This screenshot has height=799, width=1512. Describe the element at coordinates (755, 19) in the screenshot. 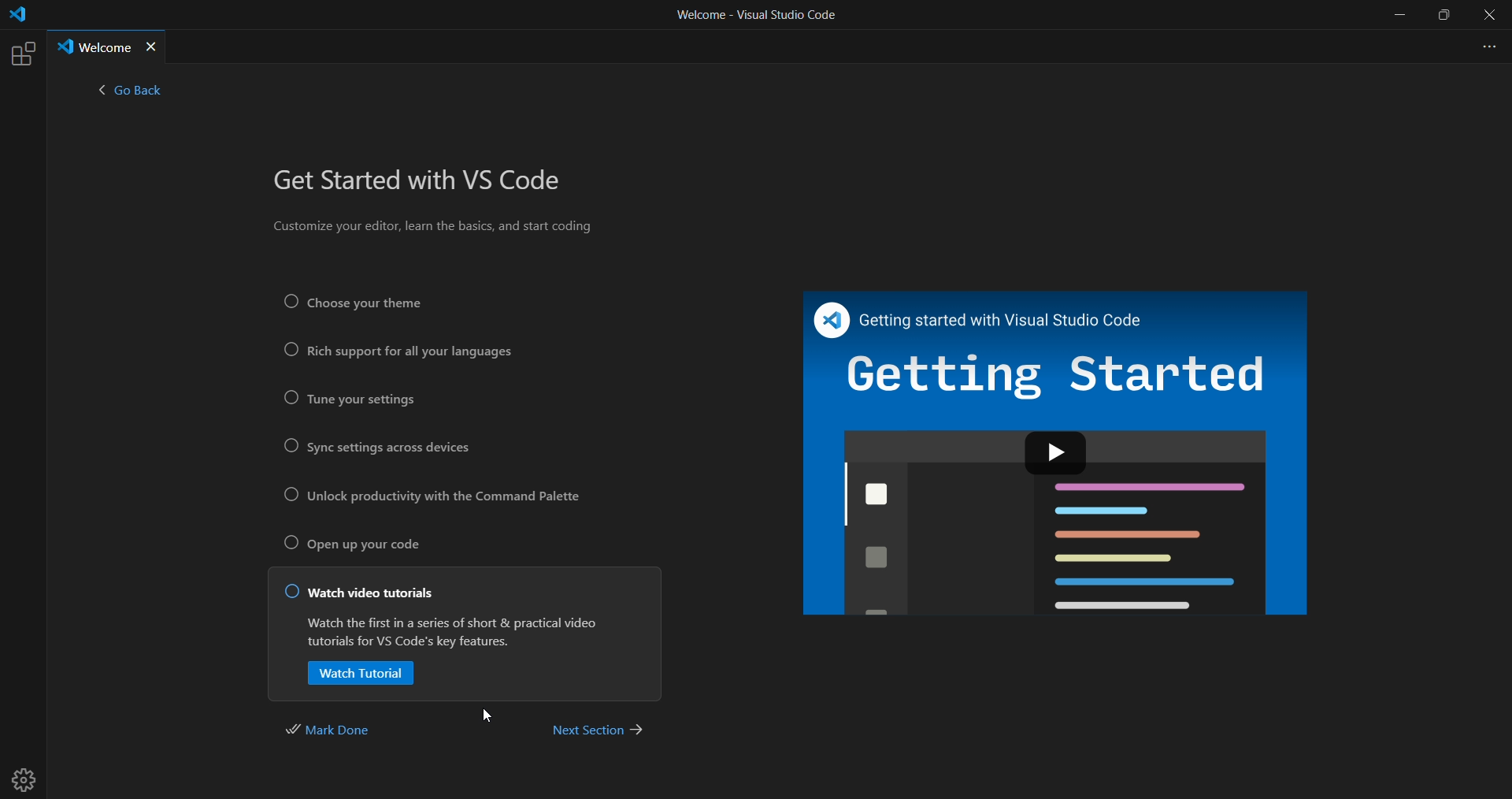

I see `Welcome - Visual Studio Code` at that location.